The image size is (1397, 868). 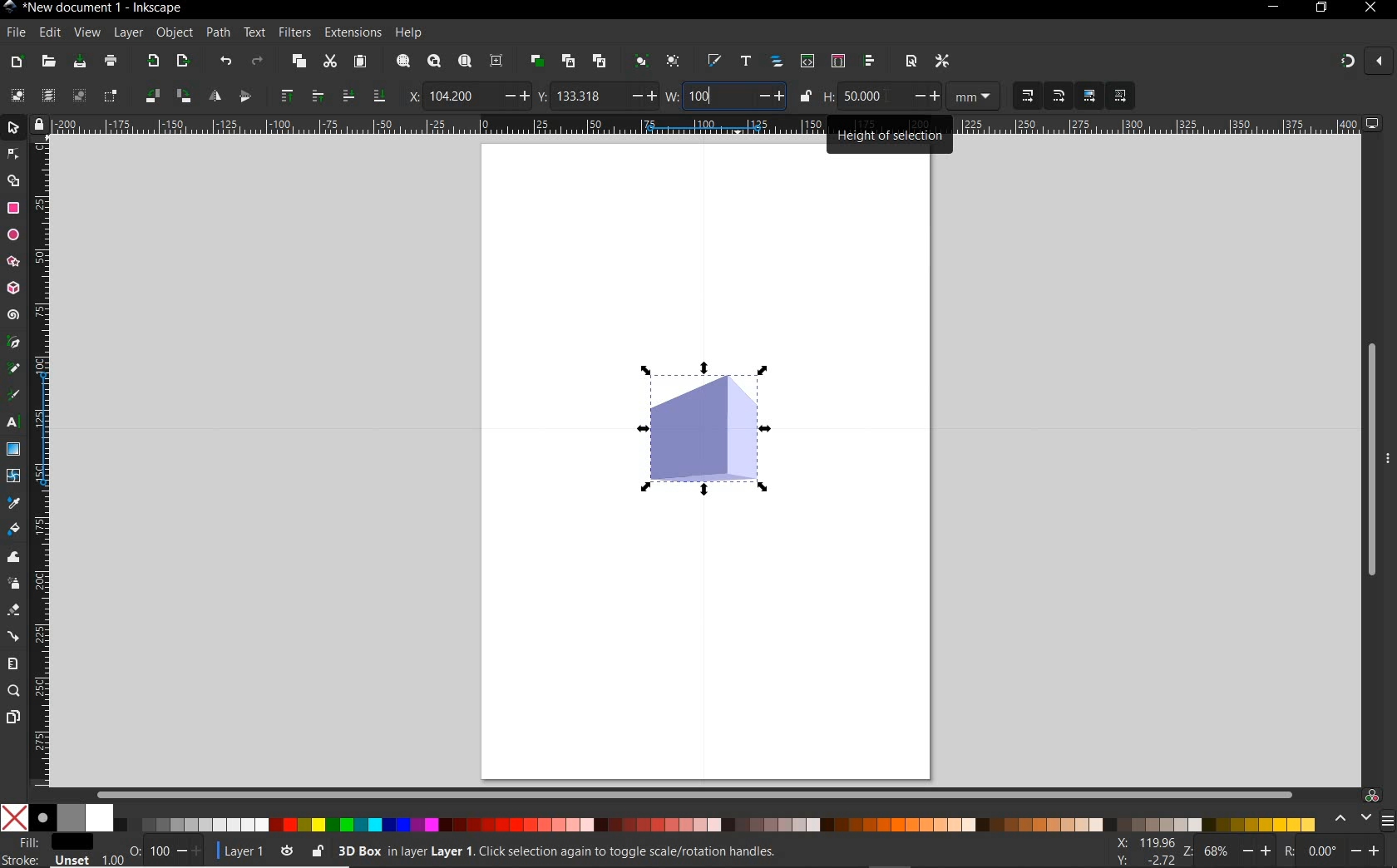 I want to click on height of selection, so click(x=891, y=133).